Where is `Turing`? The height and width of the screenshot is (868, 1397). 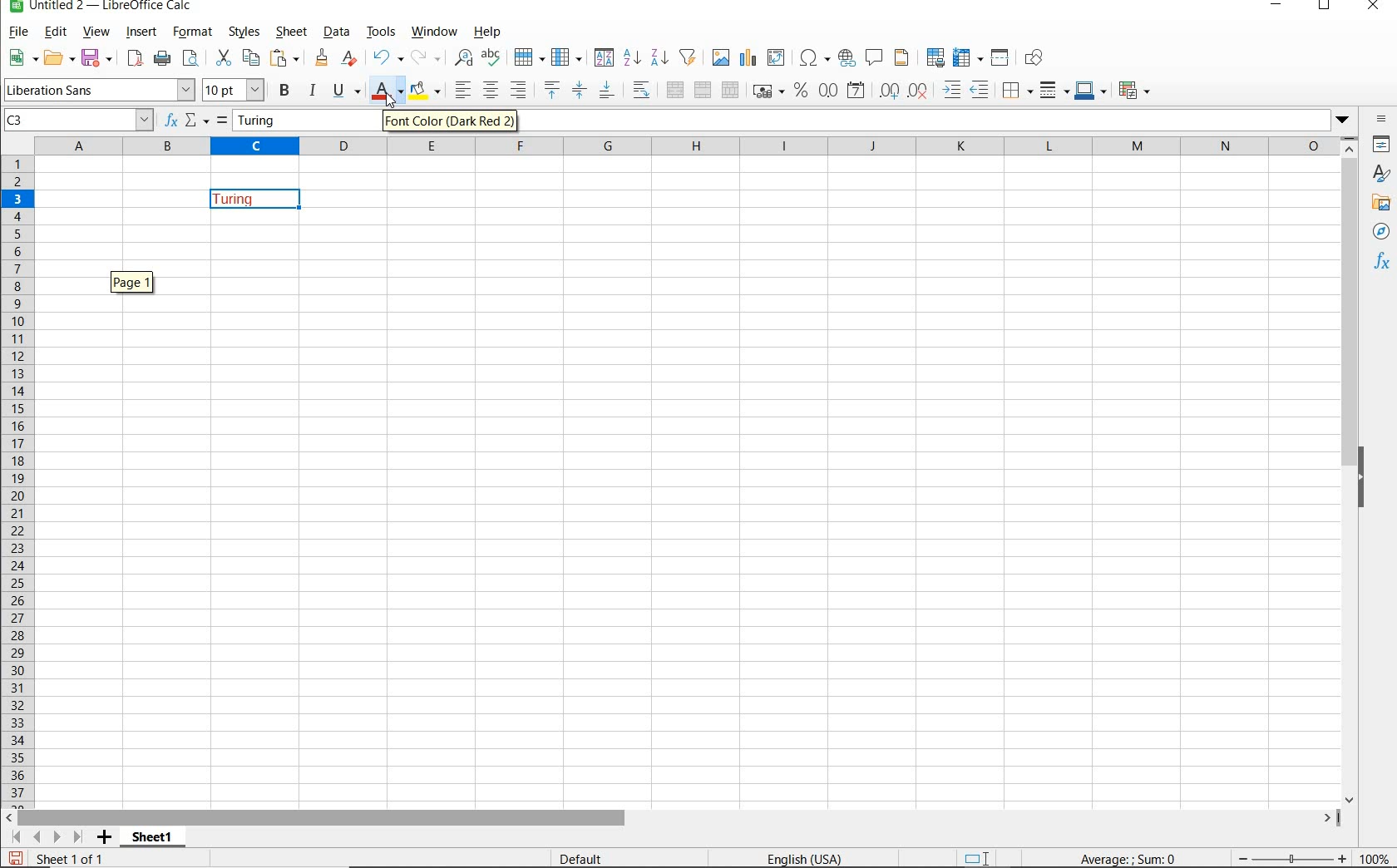 Turing is located at coordinates (288, 121).